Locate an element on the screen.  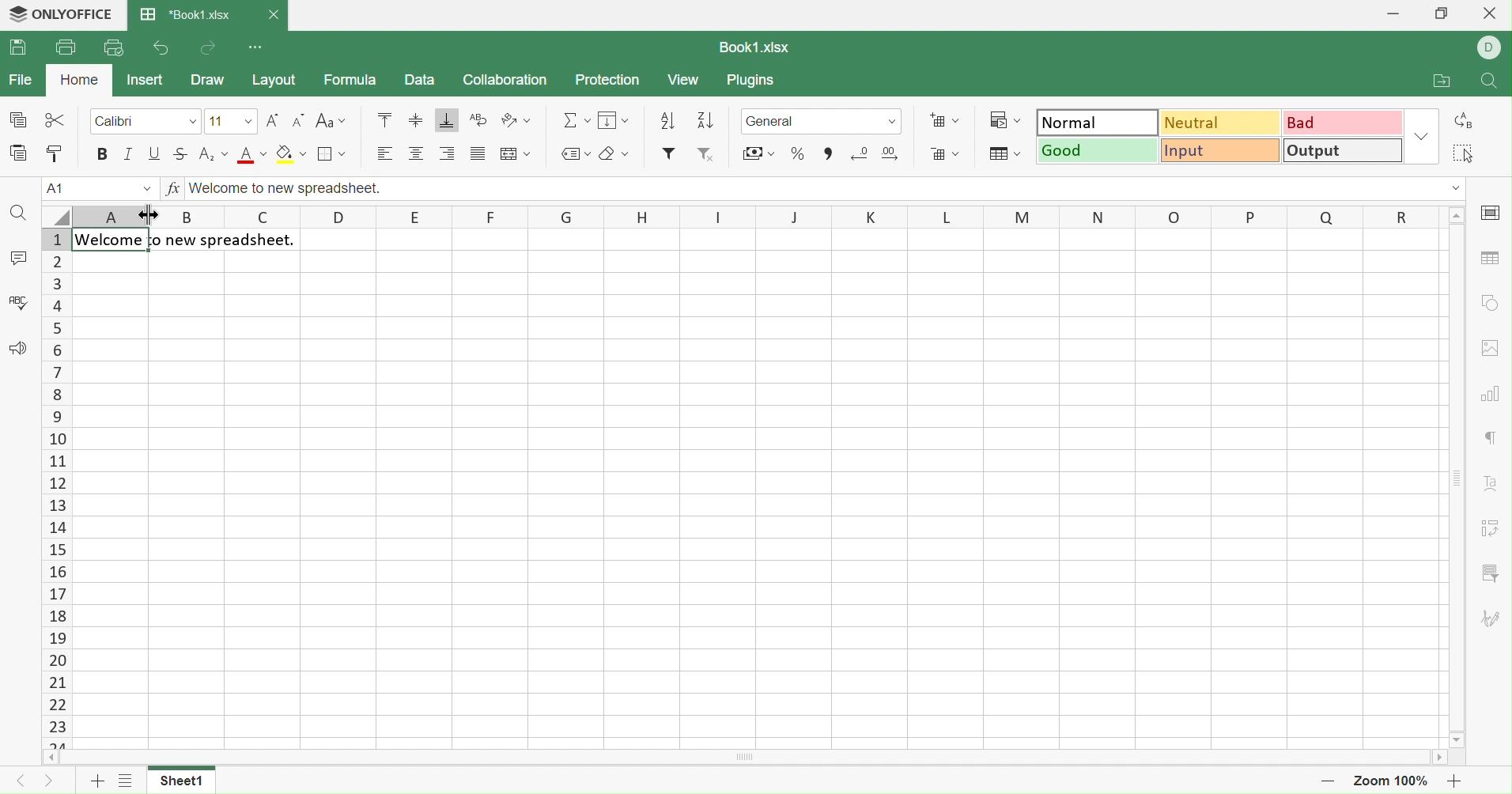
Fill is located at coordinates (615, 119).